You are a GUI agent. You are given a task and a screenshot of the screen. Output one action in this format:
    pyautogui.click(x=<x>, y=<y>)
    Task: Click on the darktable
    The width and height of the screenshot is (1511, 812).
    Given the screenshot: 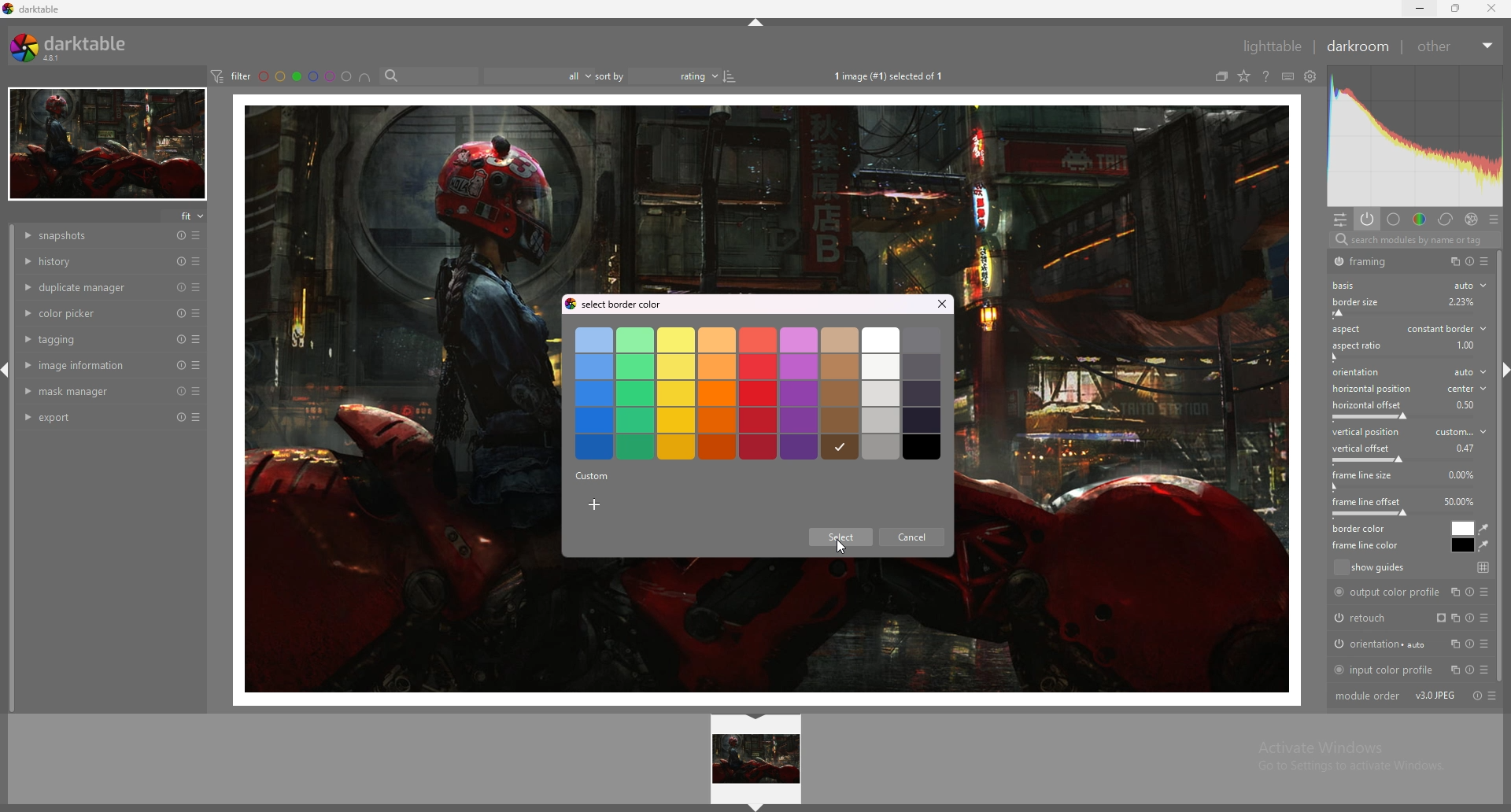 What is the action you would take?
    pyautogui.click(x=75, y=46)
    